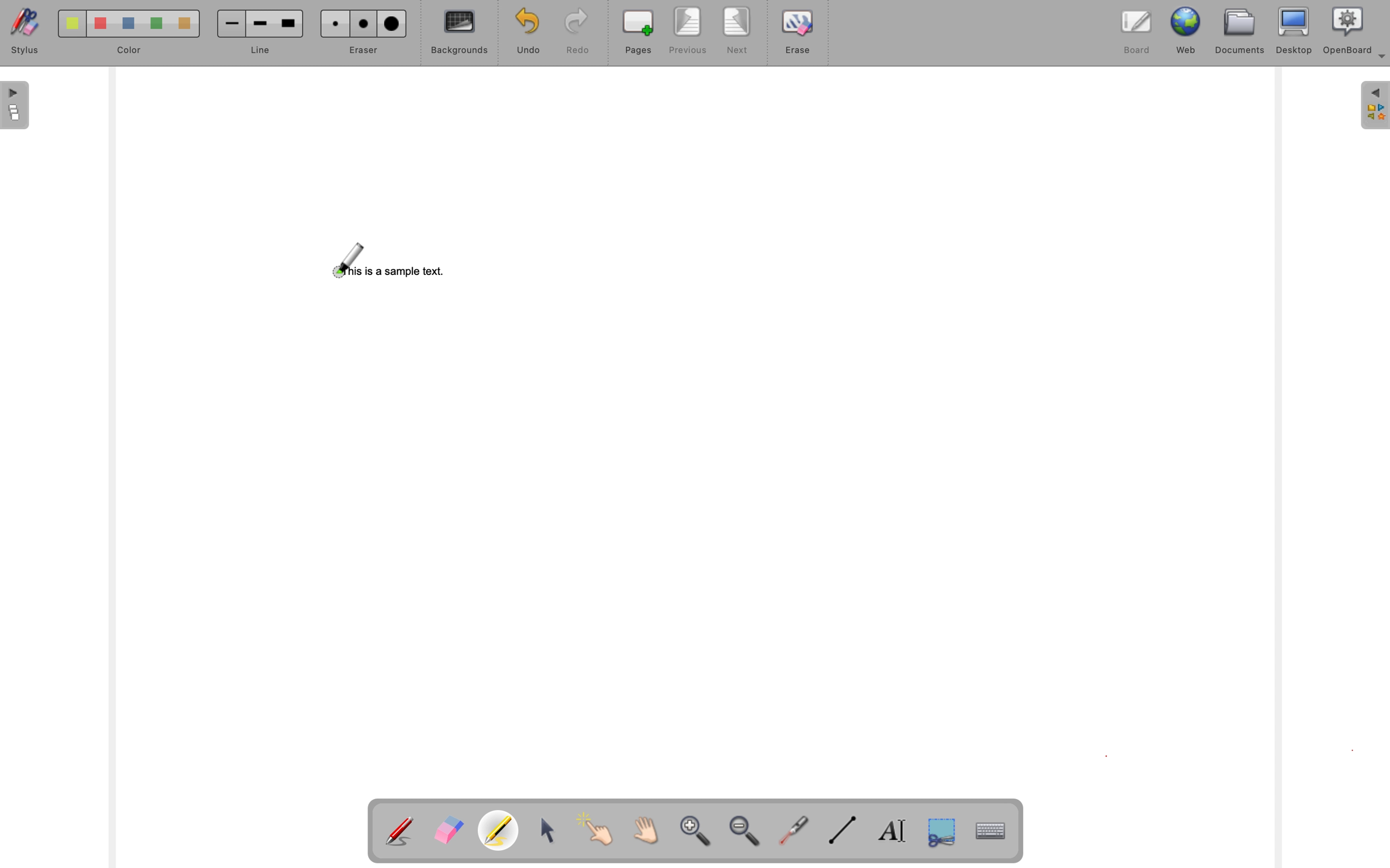 This screenshot has width=1390, height=868. I want to click on display virtual keyboard, so click(989, 829).